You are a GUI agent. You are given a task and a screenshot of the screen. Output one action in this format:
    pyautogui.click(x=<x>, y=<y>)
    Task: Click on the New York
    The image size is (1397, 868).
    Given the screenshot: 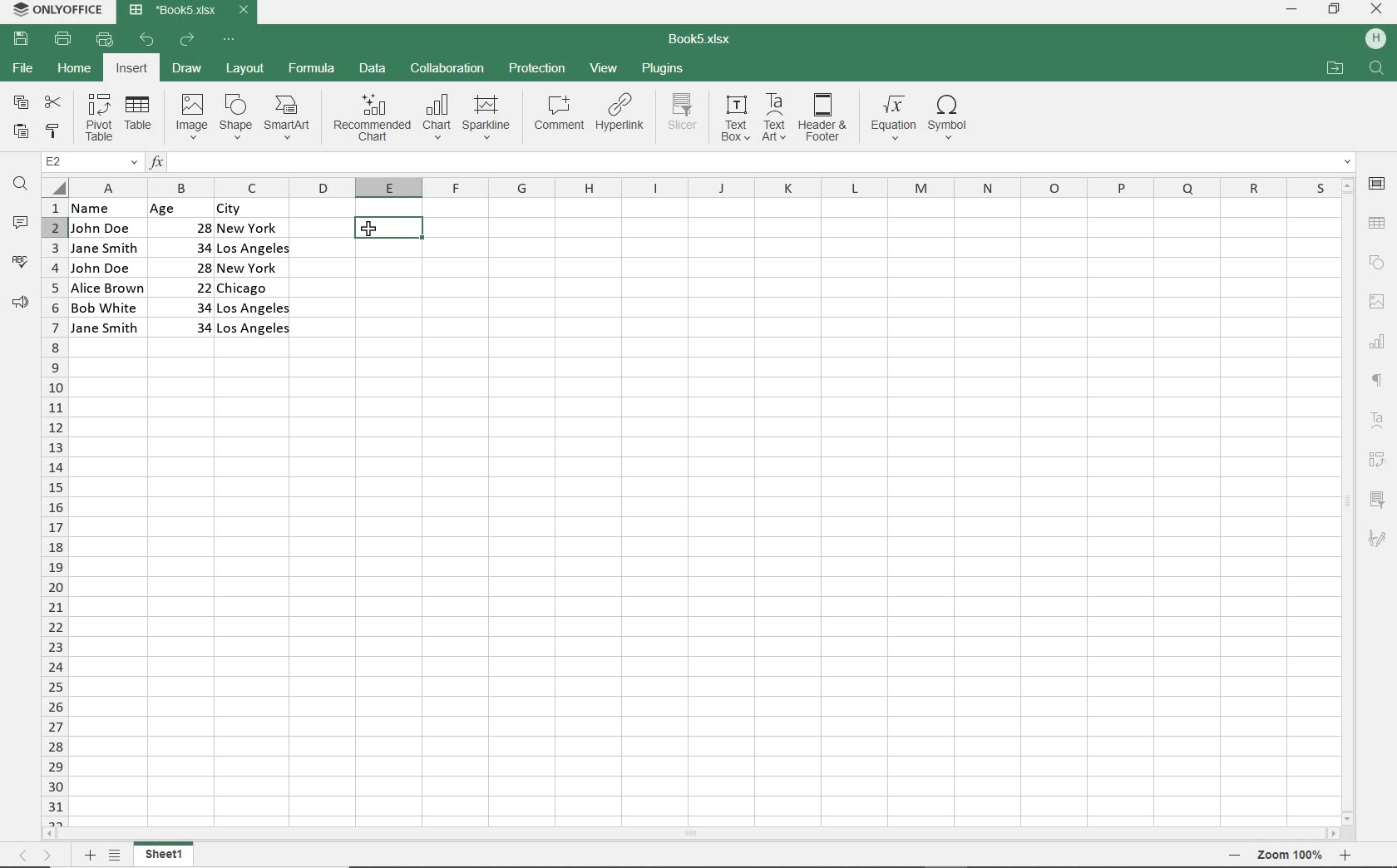 What is the action you would take?
    pyautogui.click(x=250, y=269)
    